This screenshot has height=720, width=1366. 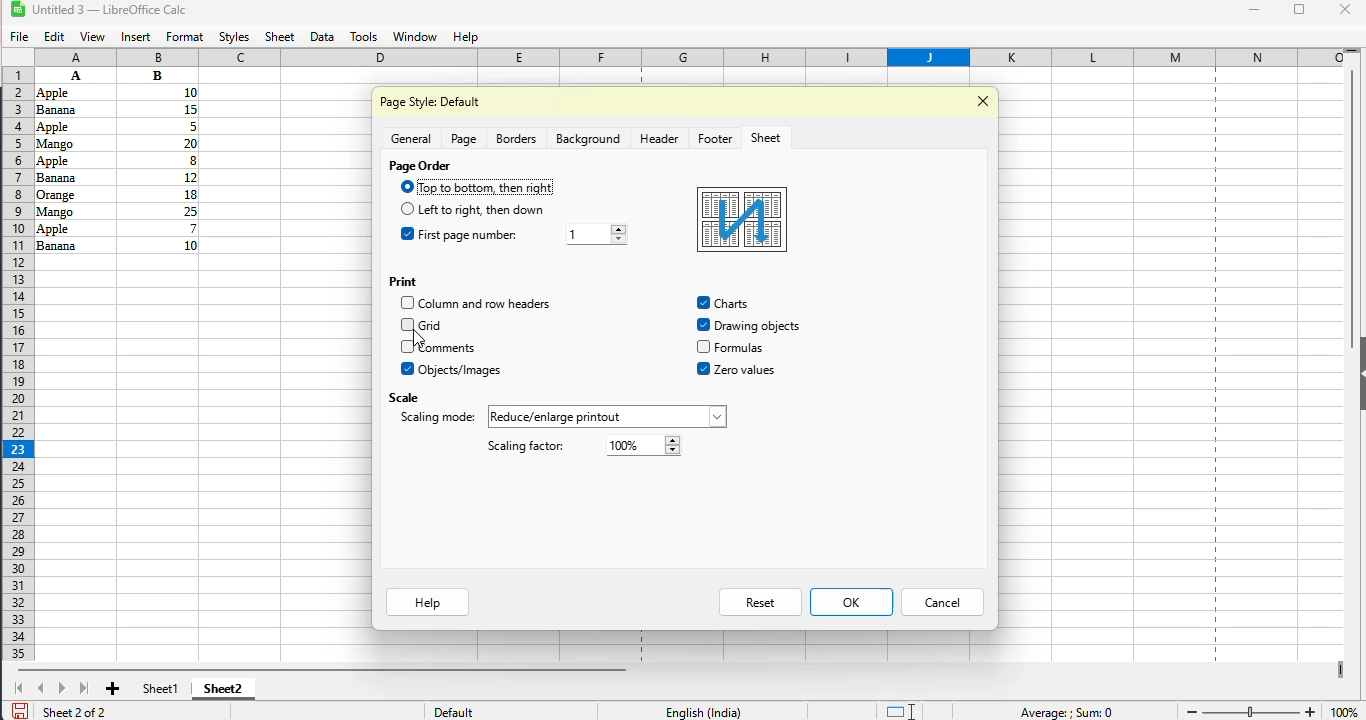 I want to click on formulas, so click(x=703, y=347).